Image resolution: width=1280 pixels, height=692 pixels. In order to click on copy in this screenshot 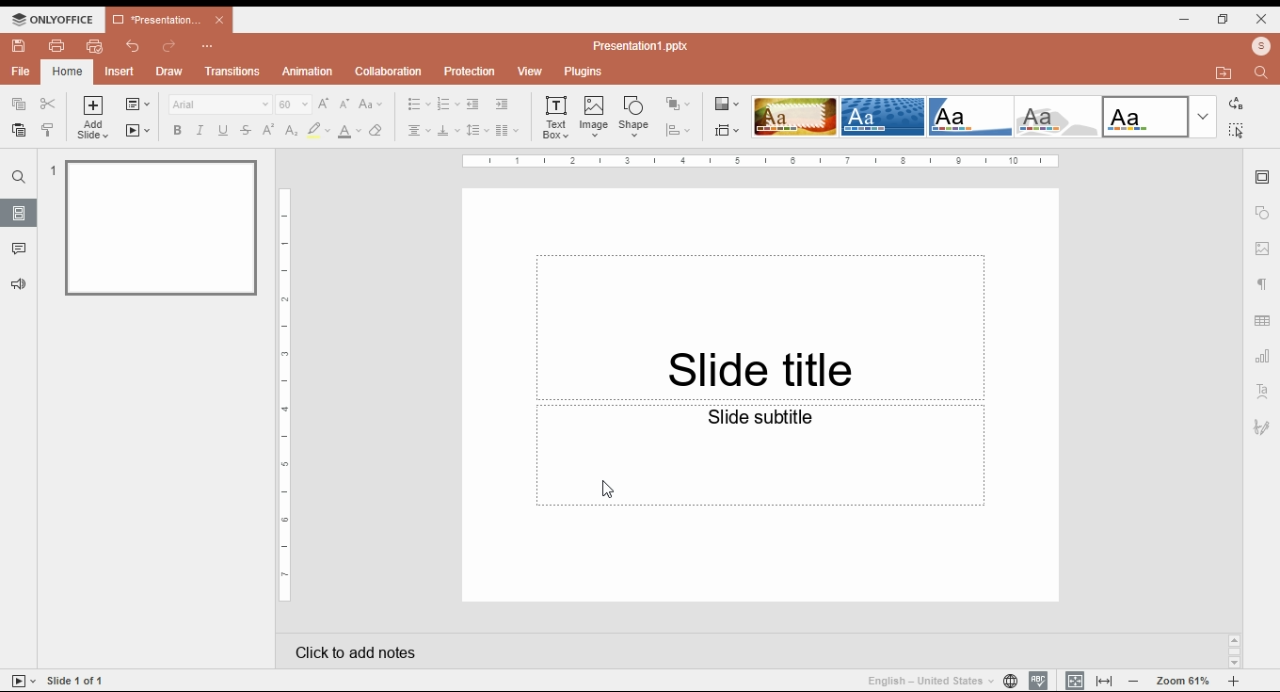, I will do `click(17, 102)`.